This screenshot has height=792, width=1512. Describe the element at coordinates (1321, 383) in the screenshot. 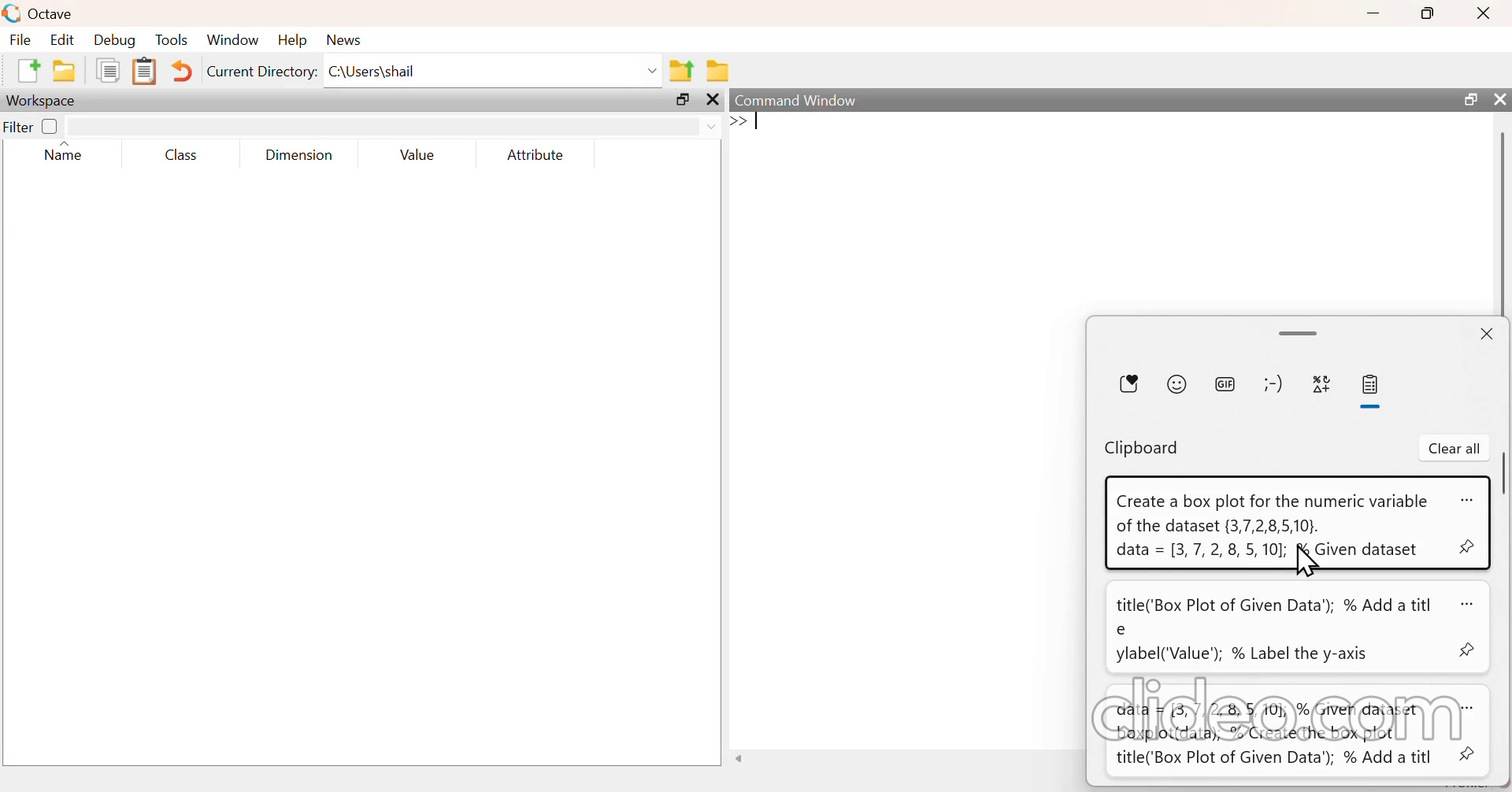

I see `symbols` at that location.